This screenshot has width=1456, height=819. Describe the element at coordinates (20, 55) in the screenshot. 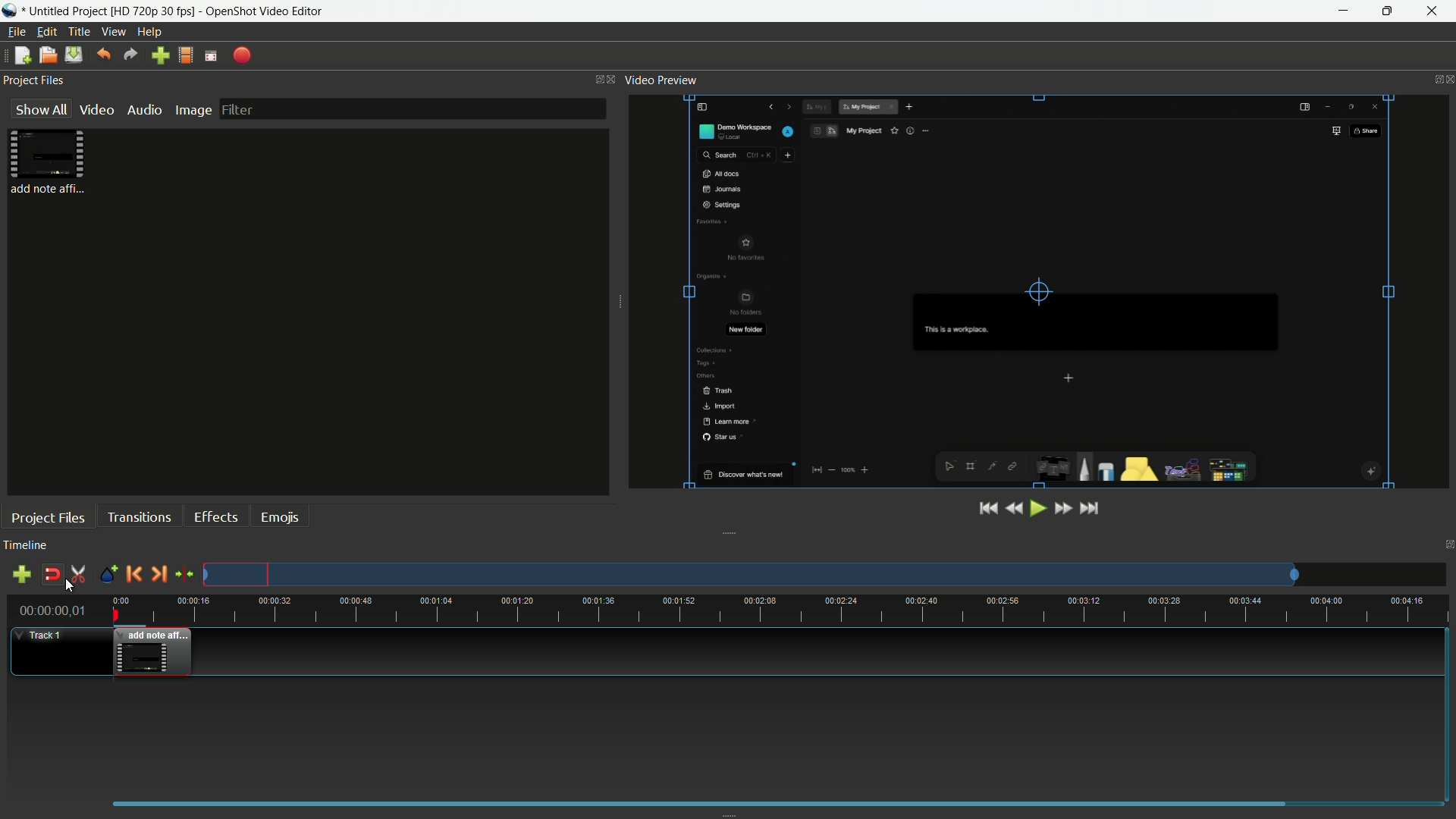

I see `new file` at that location.